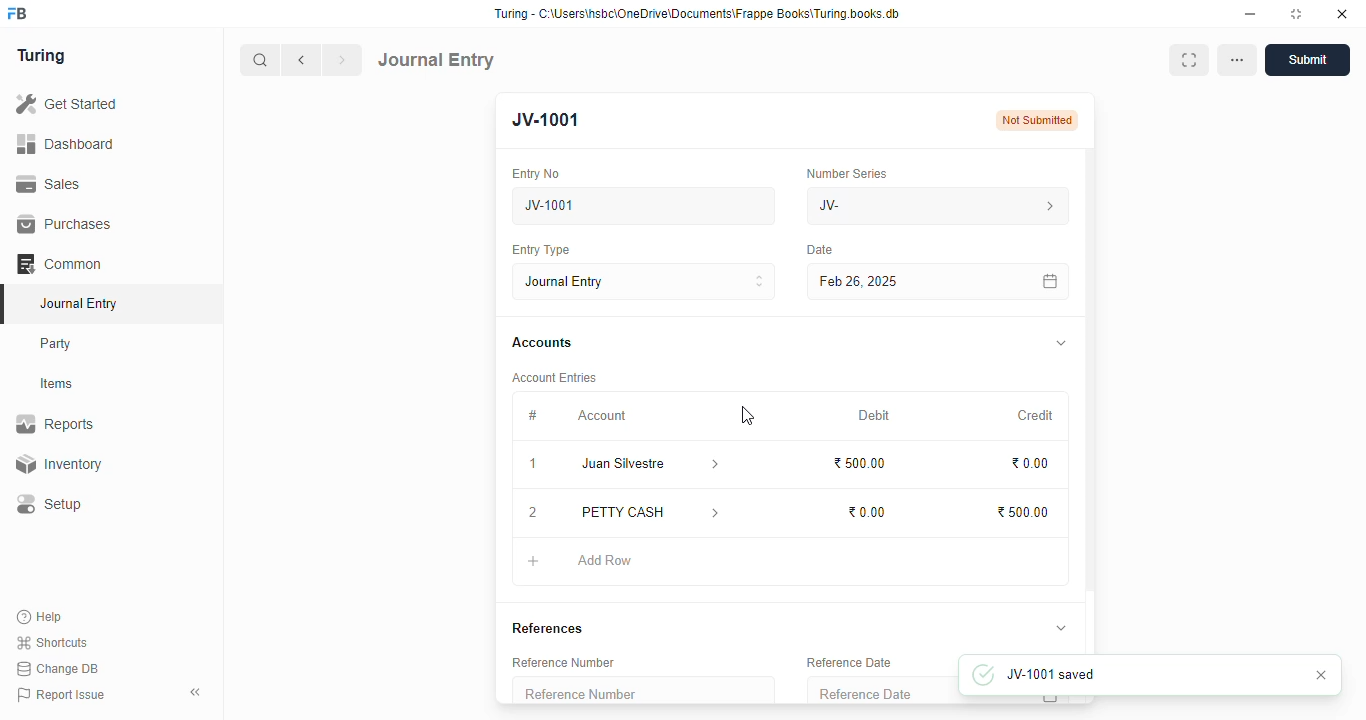 Image resolution: width=1366 pixels, height=720 pixels. Describe the element at coordinates (1038, 120) in the screenshot. I see `Not submitted` at that location.